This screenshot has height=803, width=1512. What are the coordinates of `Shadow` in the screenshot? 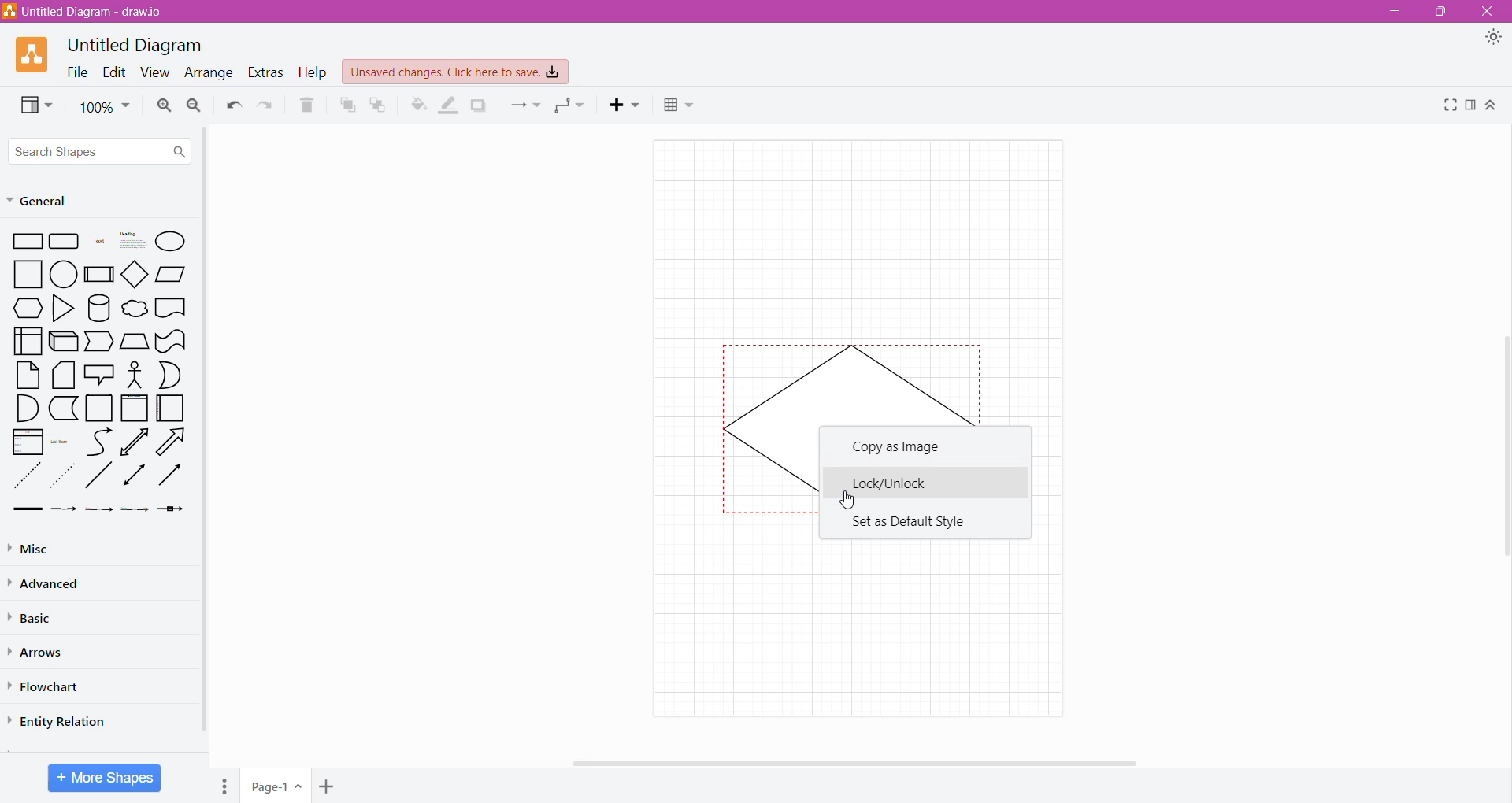 It's located at (479, 105).